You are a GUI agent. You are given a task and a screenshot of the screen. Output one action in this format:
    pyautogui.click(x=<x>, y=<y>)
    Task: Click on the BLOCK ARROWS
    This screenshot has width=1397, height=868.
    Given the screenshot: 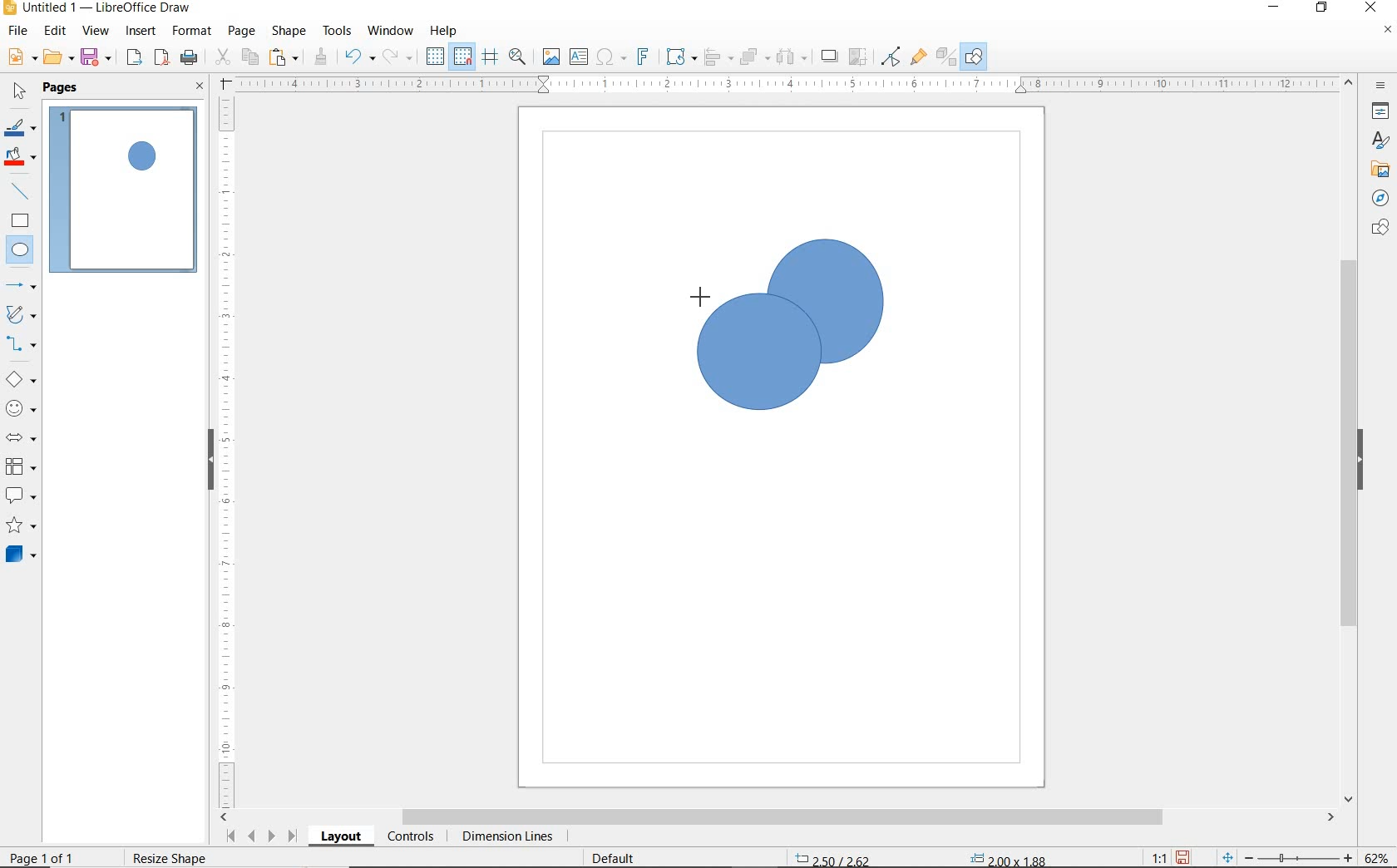 What is the action you would take?
    pyautogui.click(x=20, y=435)
    